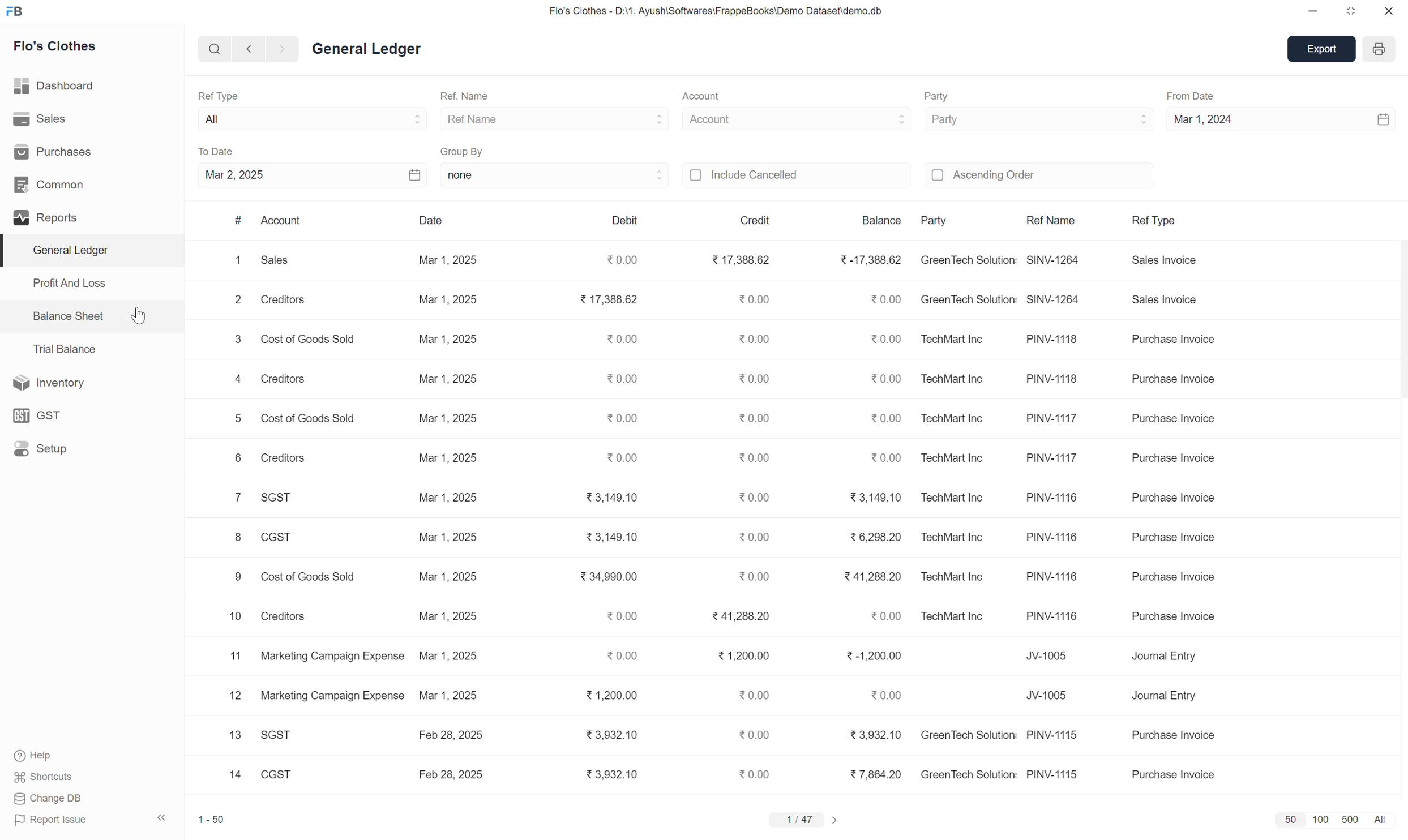 This screenshot has height=840, width=1408. Describe the element at coordinates (450, 774) in the screenshot. I see `Feb 28, 2025` at that location.